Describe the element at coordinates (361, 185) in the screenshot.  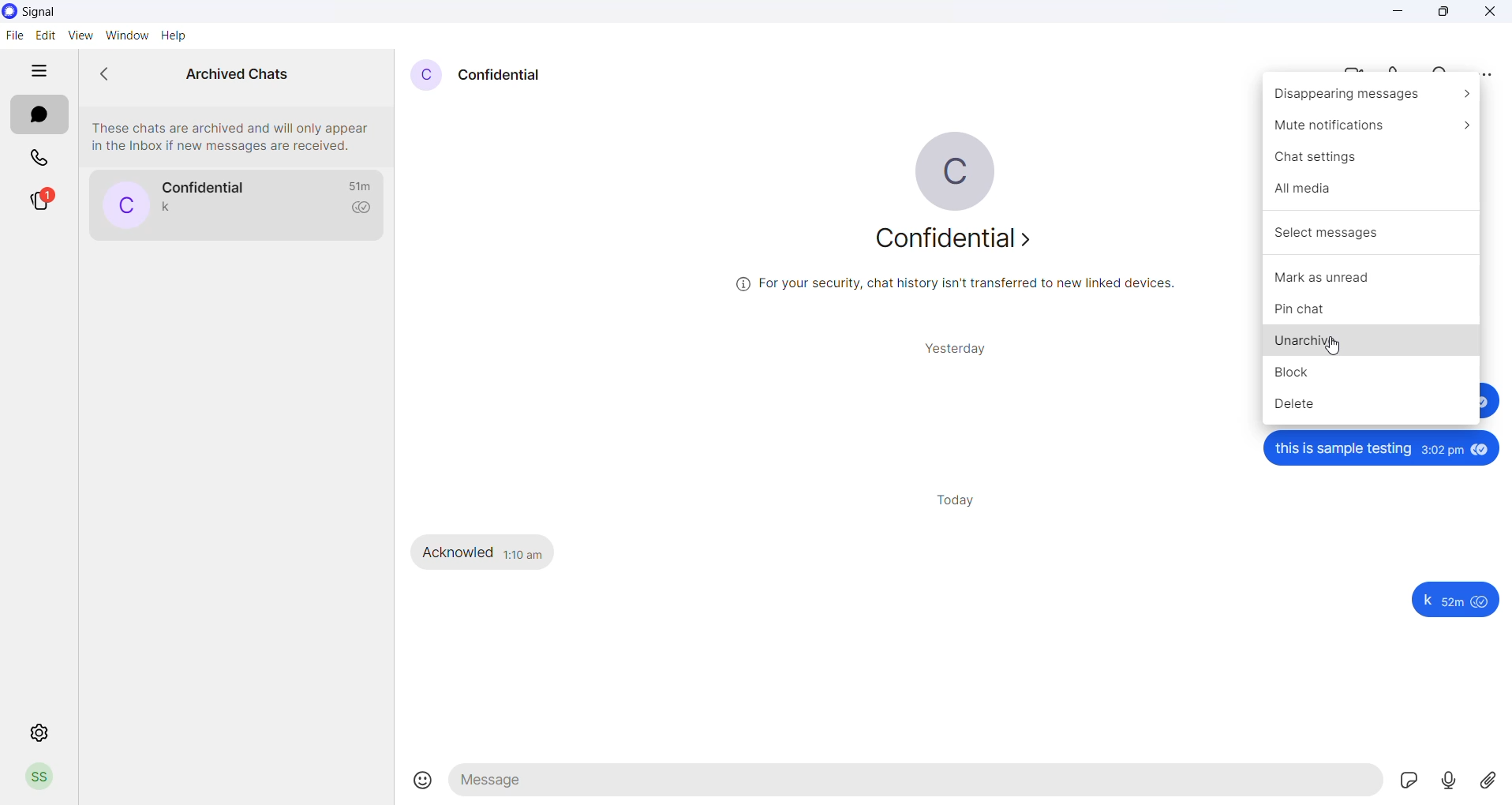
I see `last message timeframe ` at that location.